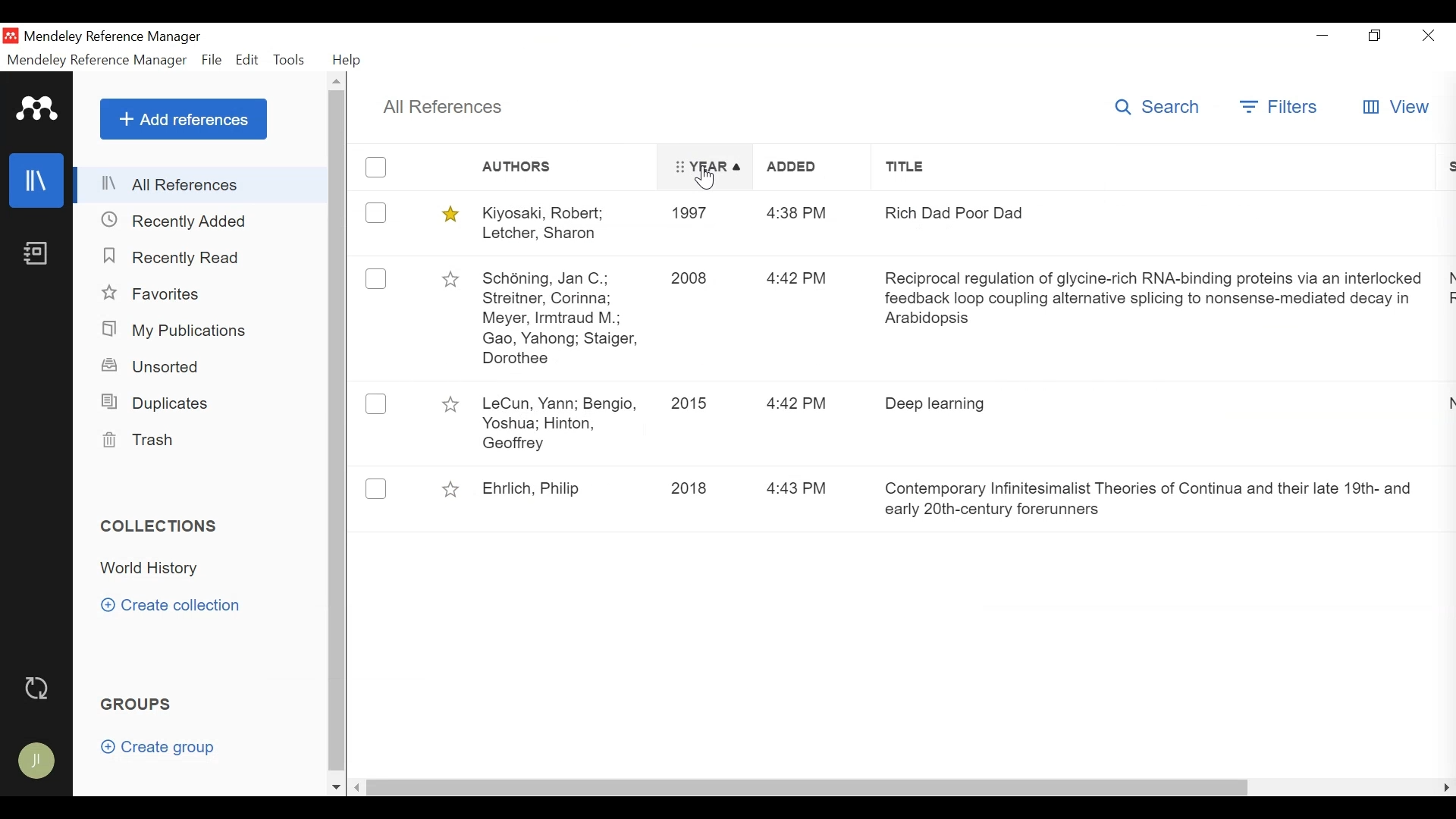 Image resolution: width=1456 pixels, height=819 pixels. Describe the element at coordinates (39, 754) in the screenshot. I see `Avatar` at that location.